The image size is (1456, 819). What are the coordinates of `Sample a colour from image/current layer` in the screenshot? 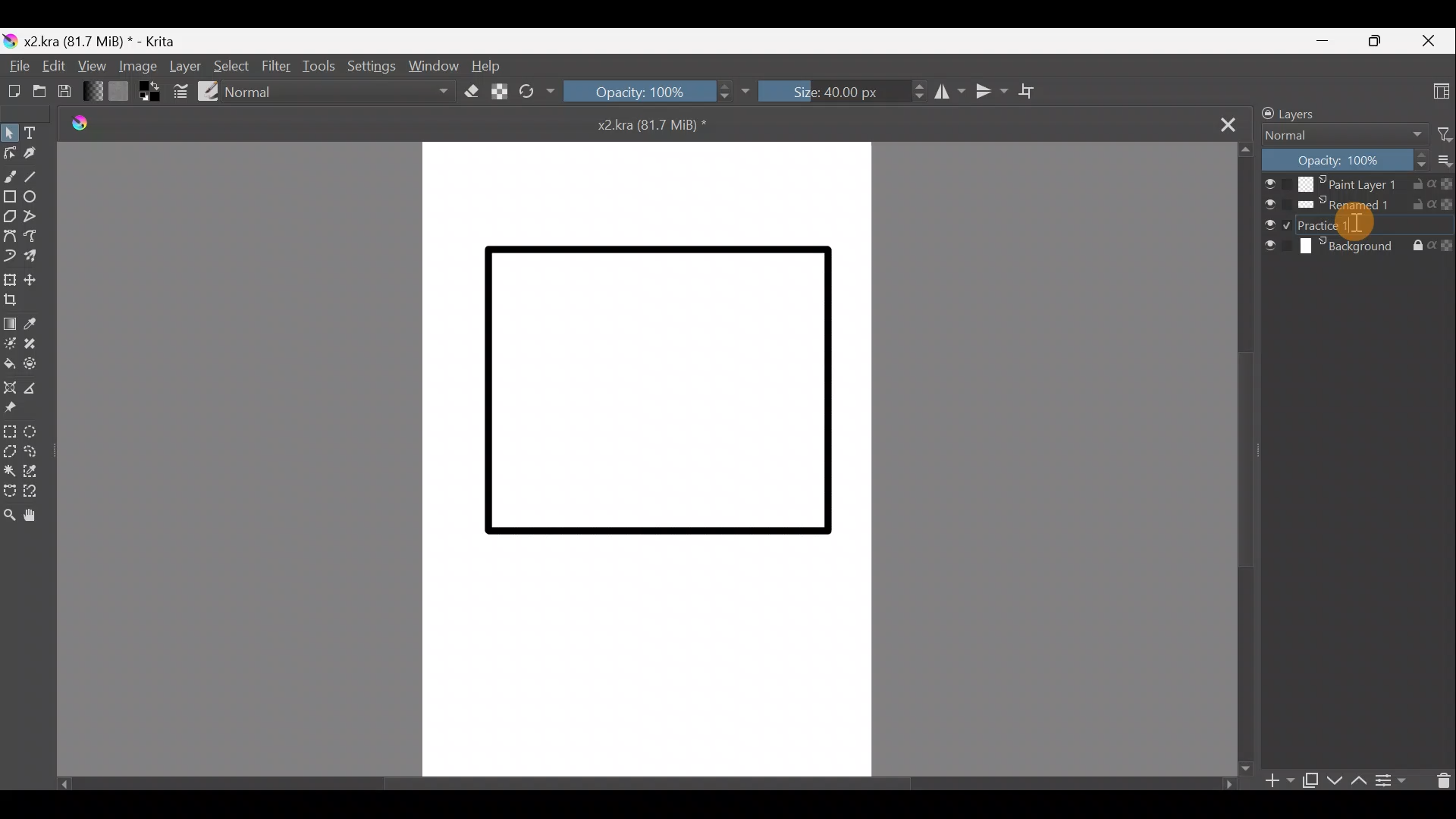 It's located at (37, 324).